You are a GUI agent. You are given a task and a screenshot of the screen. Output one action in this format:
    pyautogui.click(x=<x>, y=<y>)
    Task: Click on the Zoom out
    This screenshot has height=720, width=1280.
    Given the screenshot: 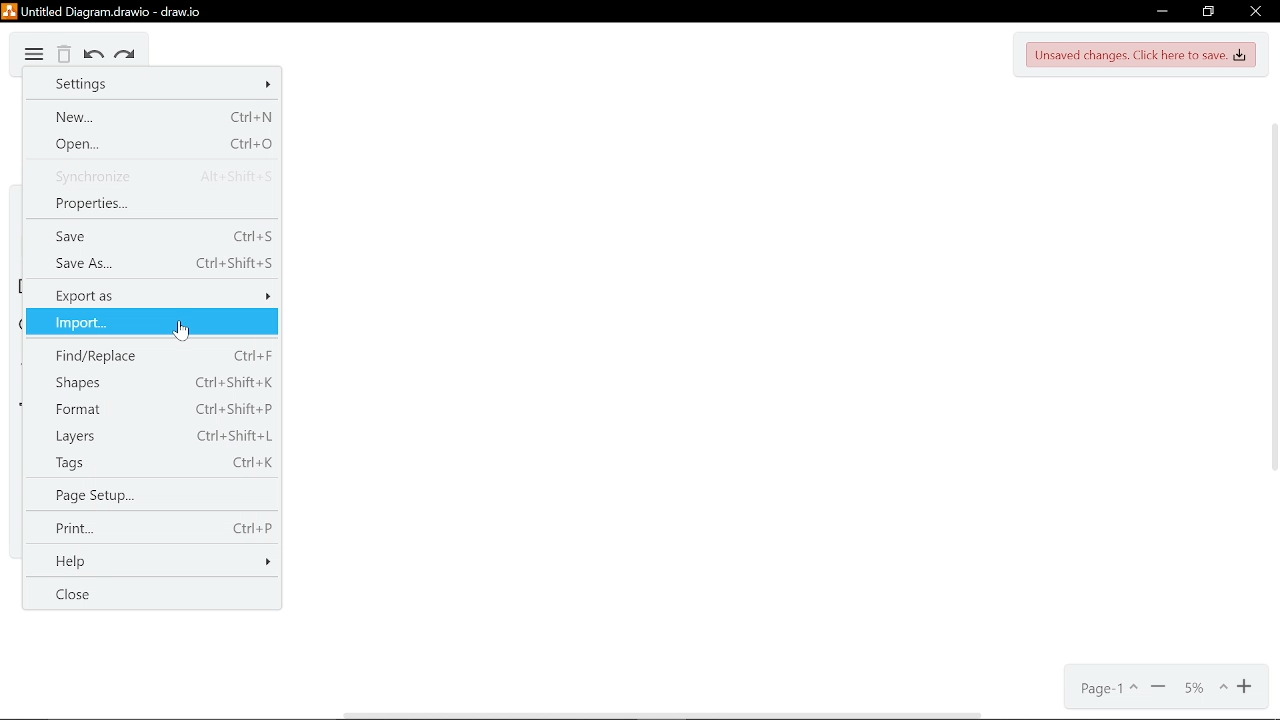 What is the action you would take?
    pyautogui.click(x=1160, y=688)
    